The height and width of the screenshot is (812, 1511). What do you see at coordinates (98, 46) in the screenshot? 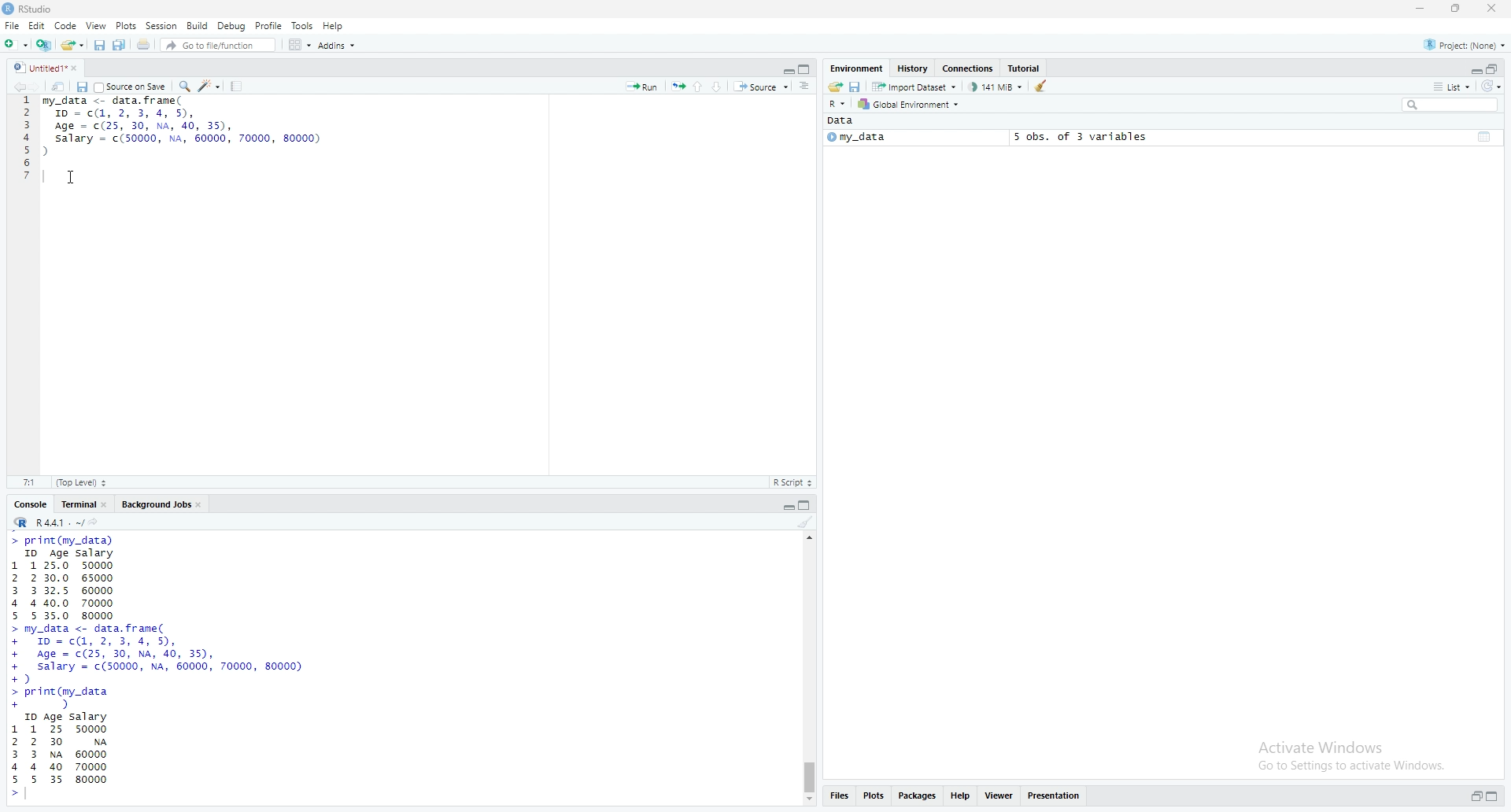
I see `save current document` at bounding box center [98, 46].